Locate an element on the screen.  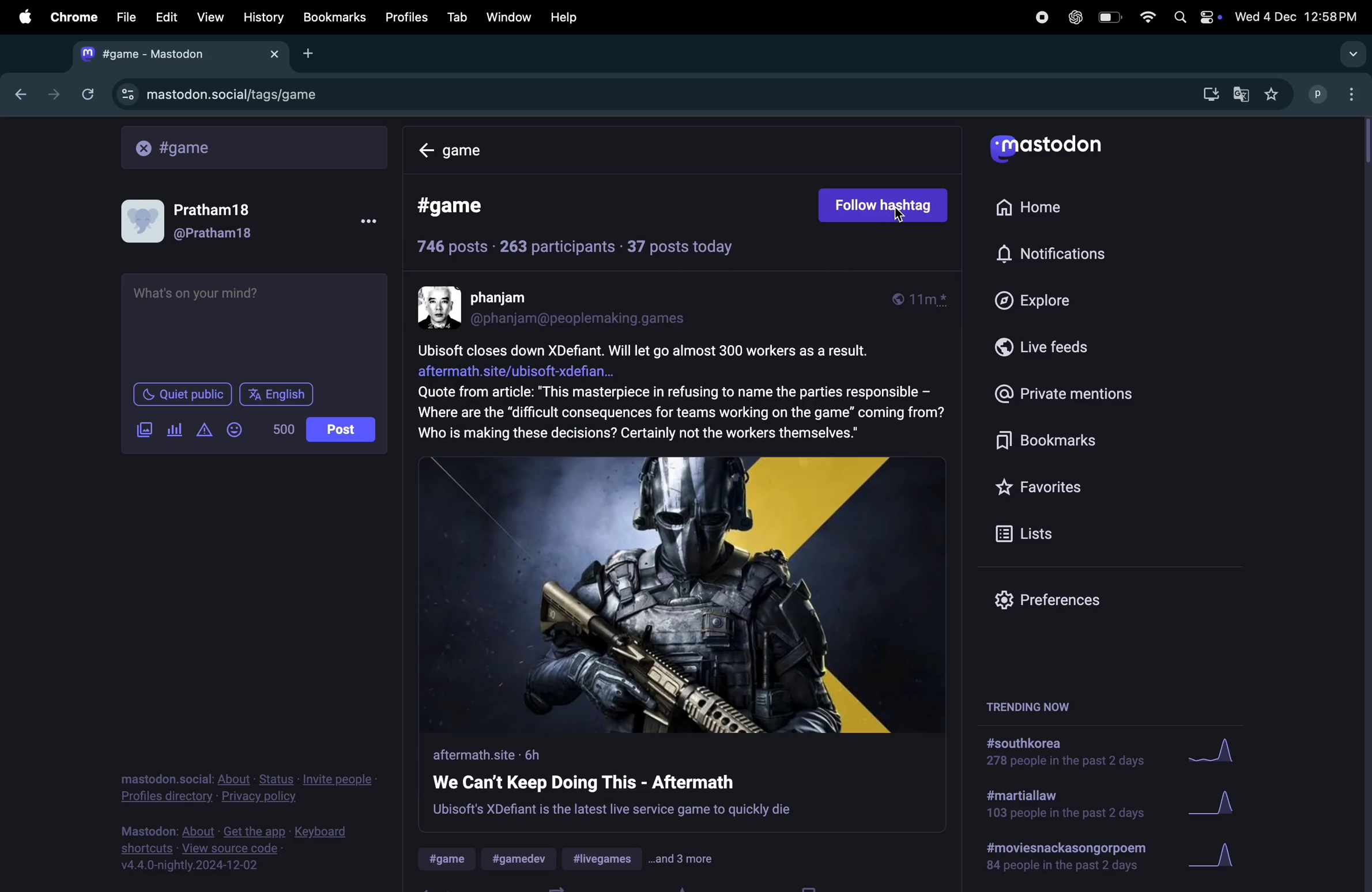
grapj is located at coordinates (1220, 860).